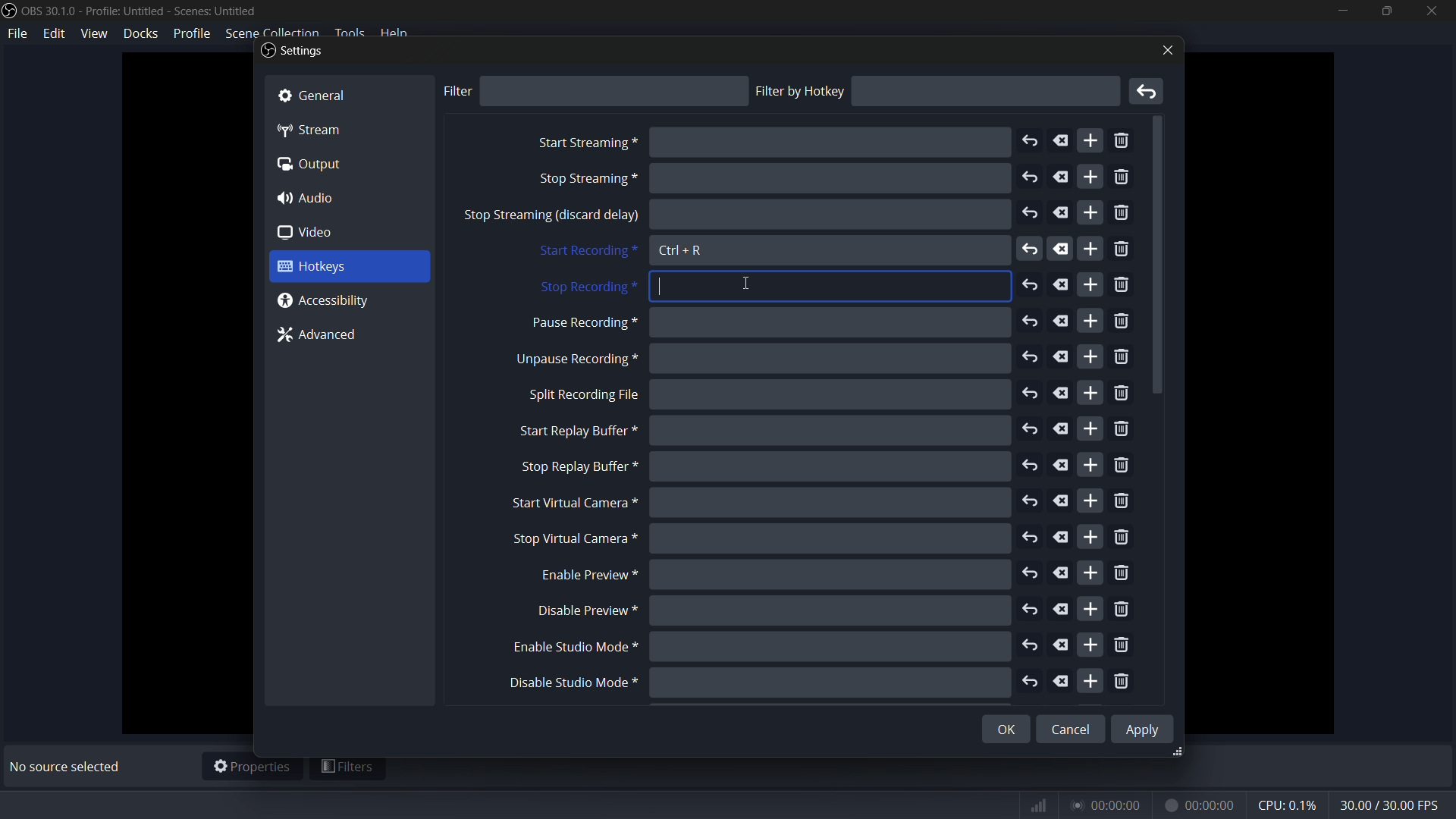 This screenshot has height=819, width=1456. I want to click on remove, so click(1122, 251).